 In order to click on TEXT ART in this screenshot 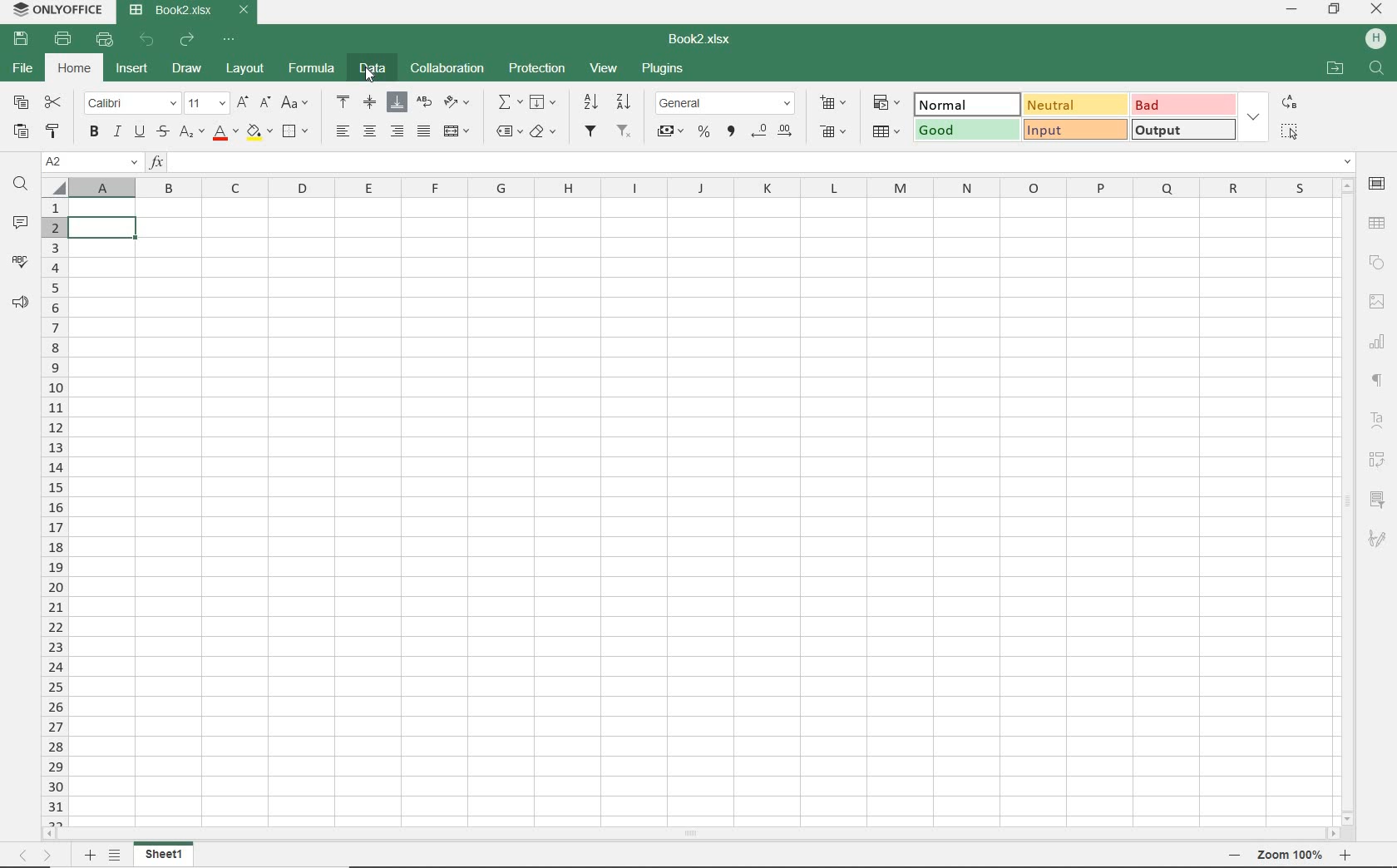, I will do `click(1378, 422)`.